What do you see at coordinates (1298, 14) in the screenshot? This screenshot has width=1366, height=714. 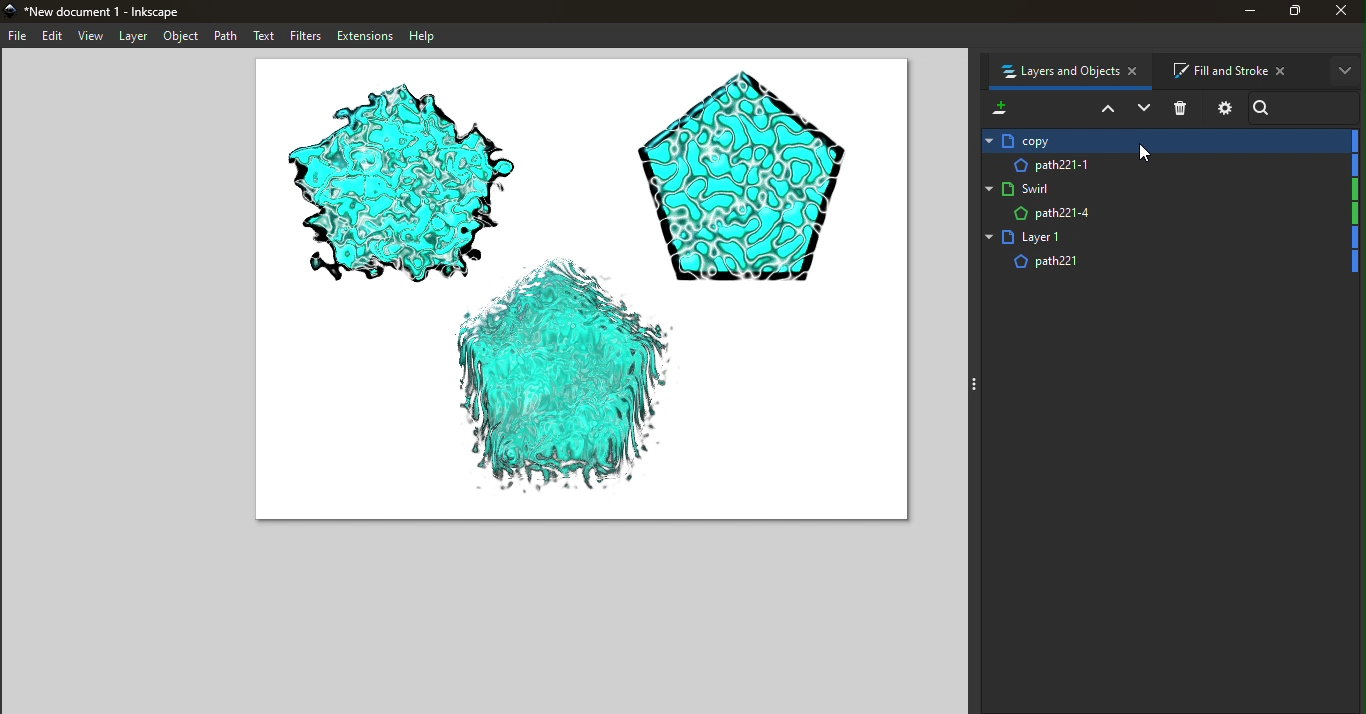 I see `Maximize` at bounding box center [1298, 14].